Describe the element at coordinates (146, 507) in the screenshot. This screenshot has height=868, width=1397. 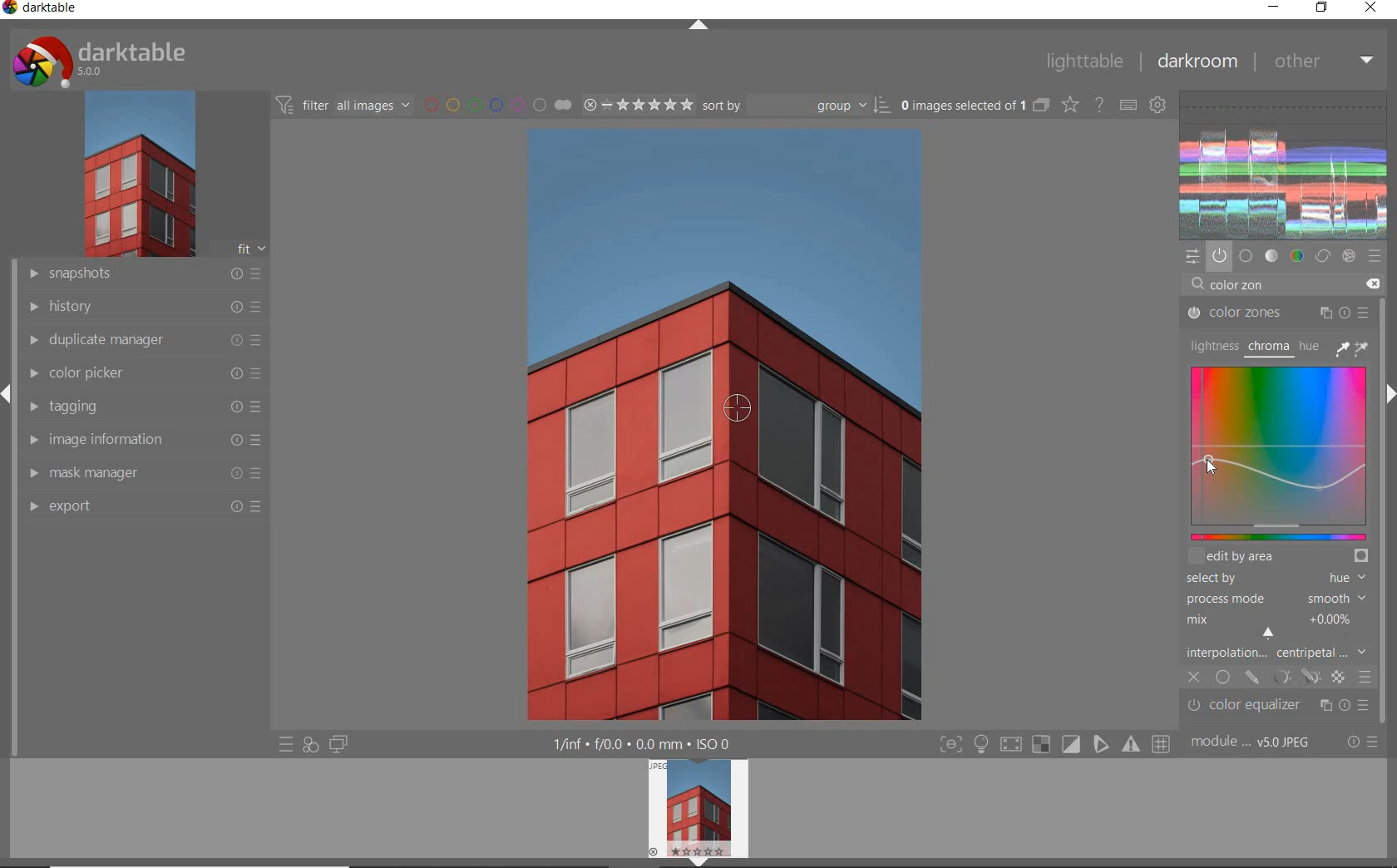
I see `export` at that location.